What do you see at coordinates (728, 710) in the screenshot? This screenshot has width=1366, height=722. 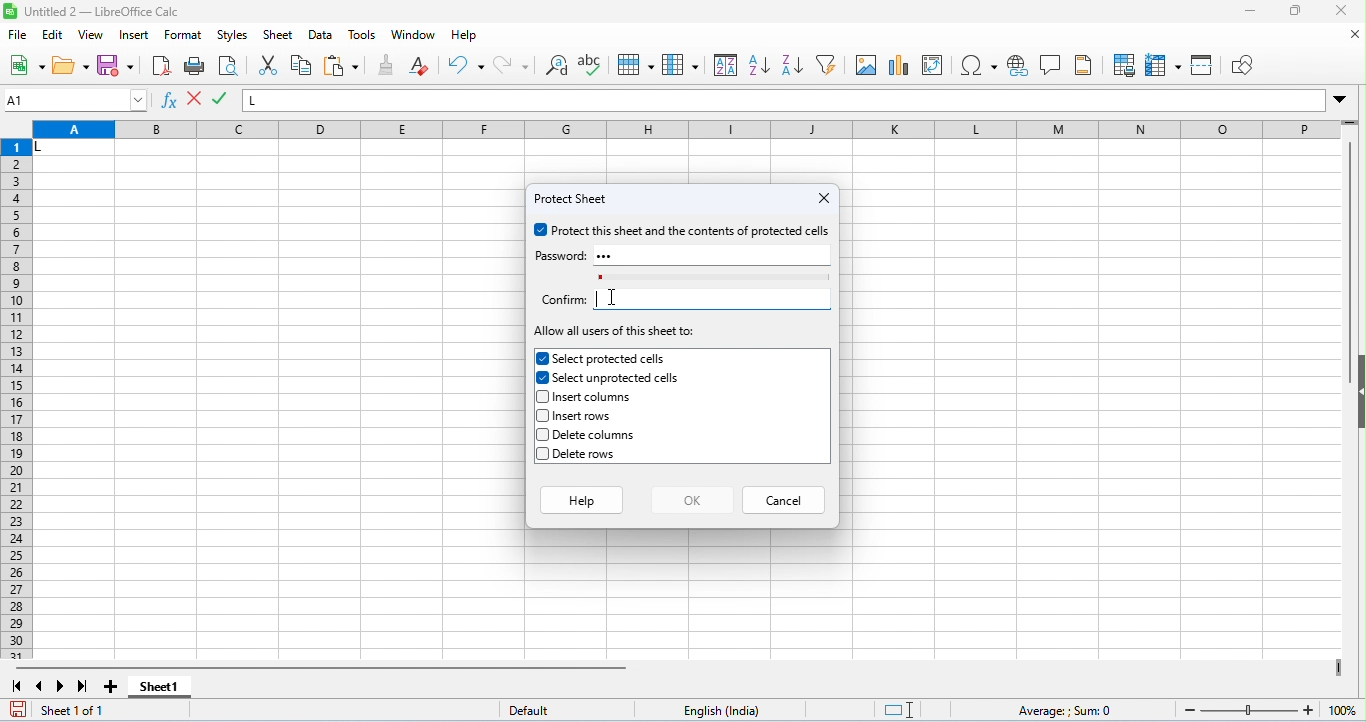 I see `language` at bounding box center [728, 710].